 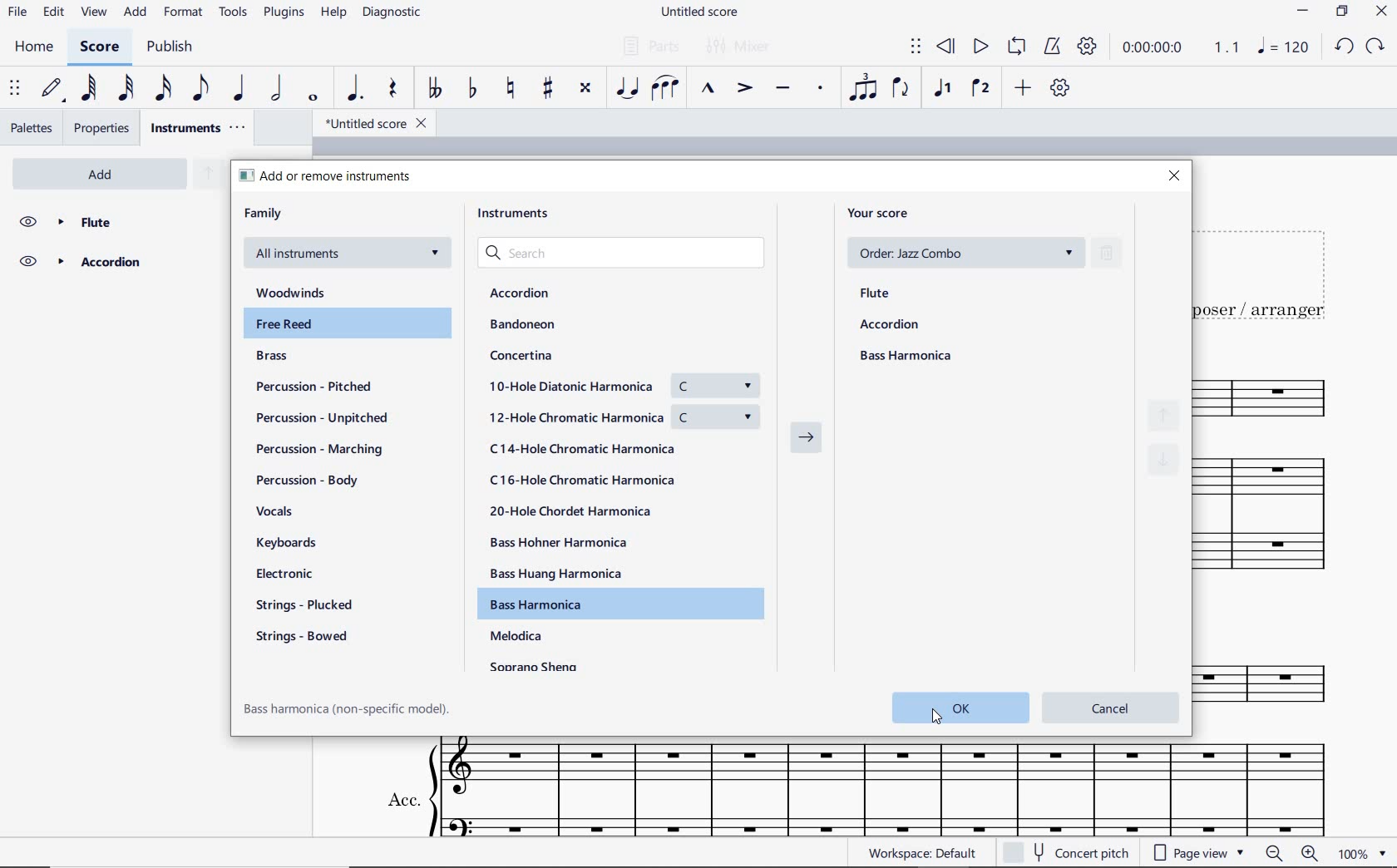 What do you see at coordinates (1017, 47) in the screenshot?
I see `loop playback` at bounding box center [1017, 47].